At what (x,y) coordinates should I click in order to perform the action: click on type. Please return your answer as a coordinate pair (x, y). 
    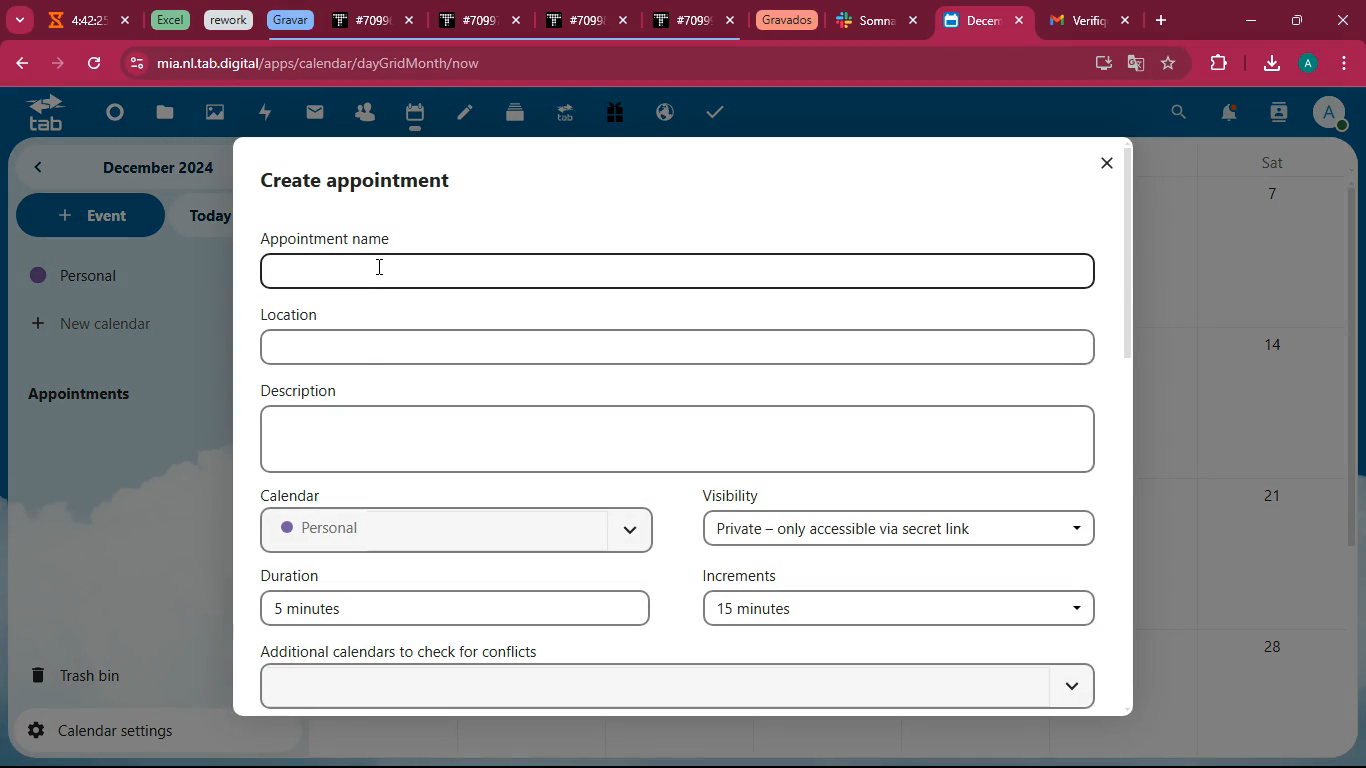
    Looking at the image, I should click on (677, 348).